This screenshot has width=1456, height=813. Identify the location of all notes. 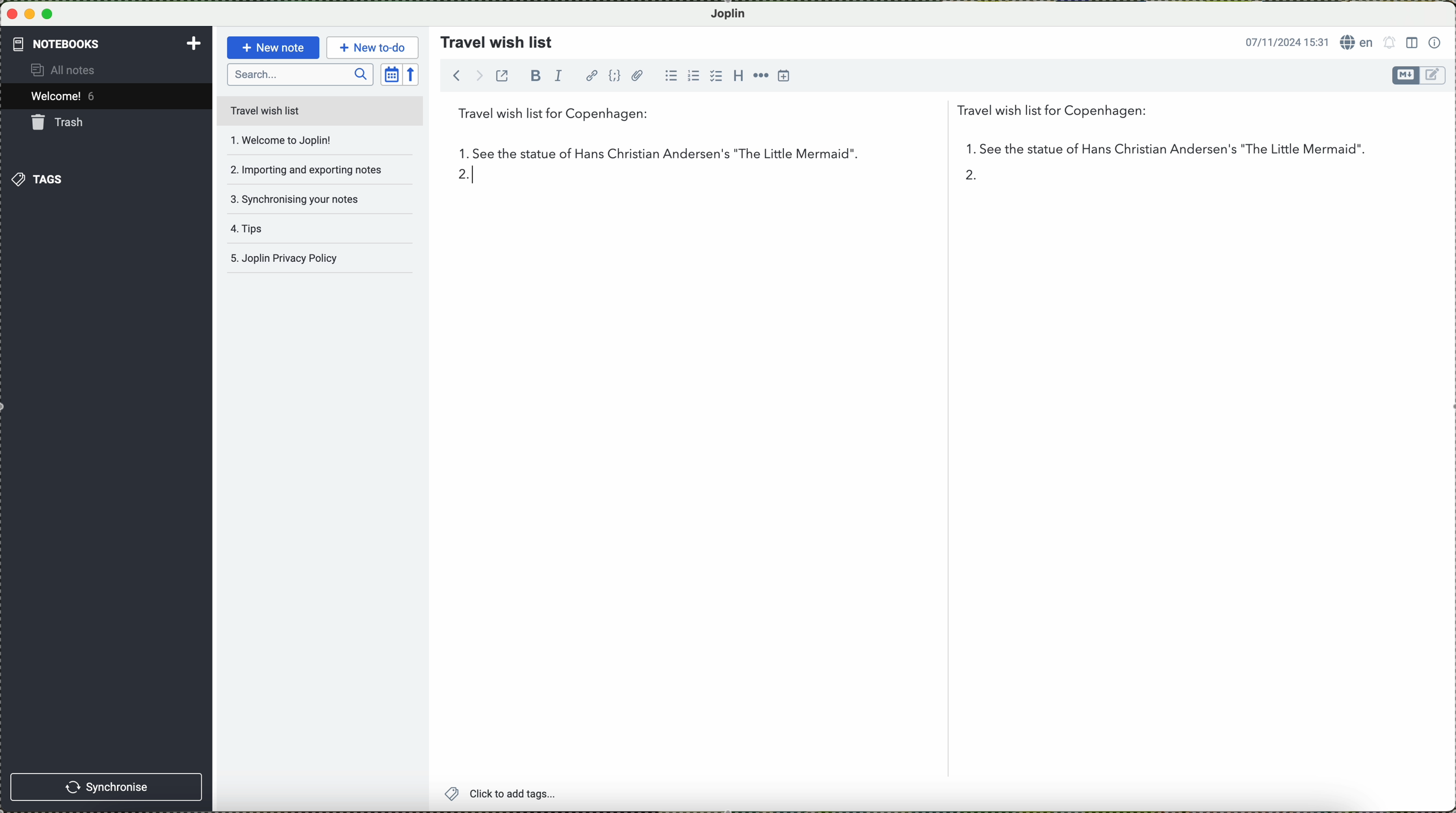
(73, 71).